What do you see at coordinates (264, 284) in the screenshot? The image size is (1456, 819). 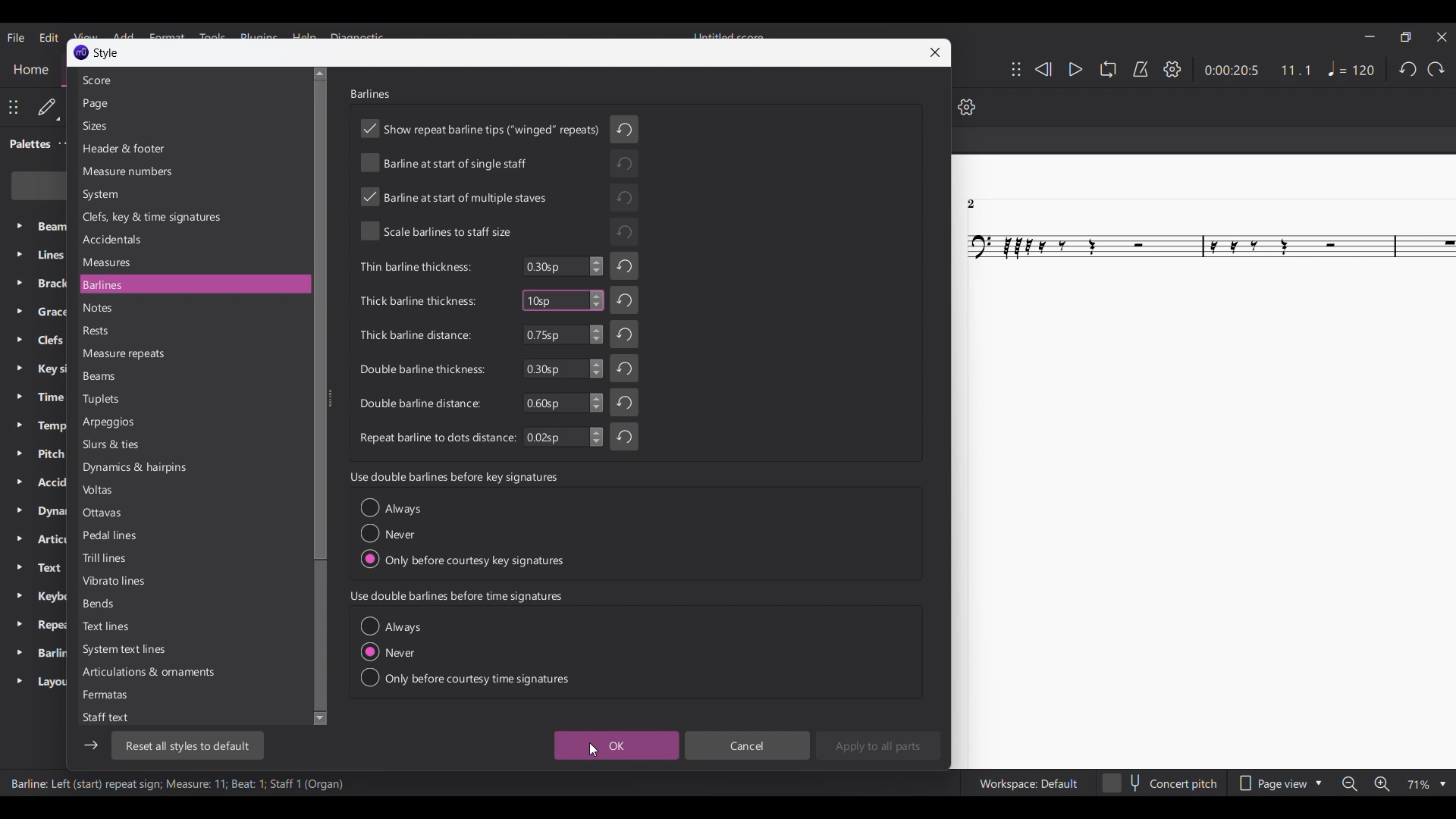 I see `Current selection highlighted` at bounding box center [264, 284].